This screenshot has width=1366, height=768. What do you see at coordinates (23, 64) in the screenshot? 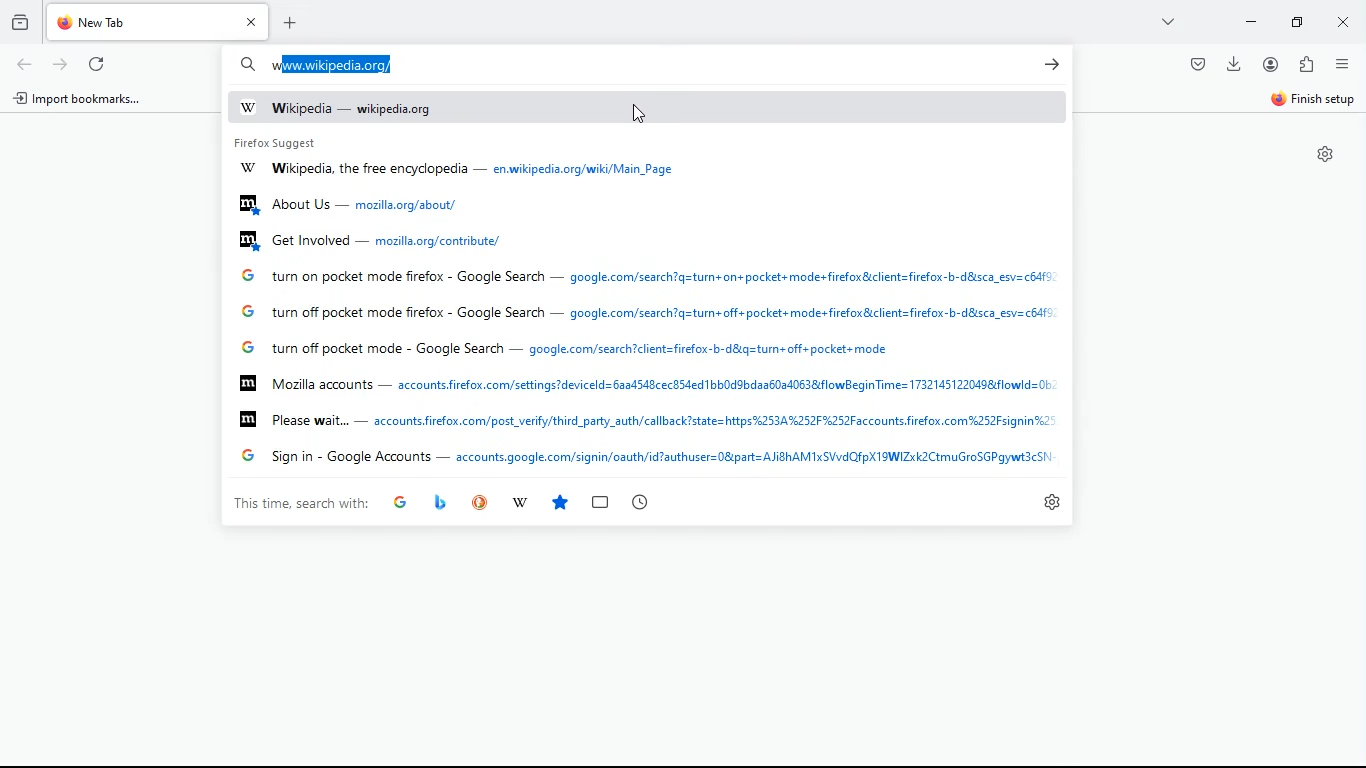
I see `back` at bounding box center [23, 64].